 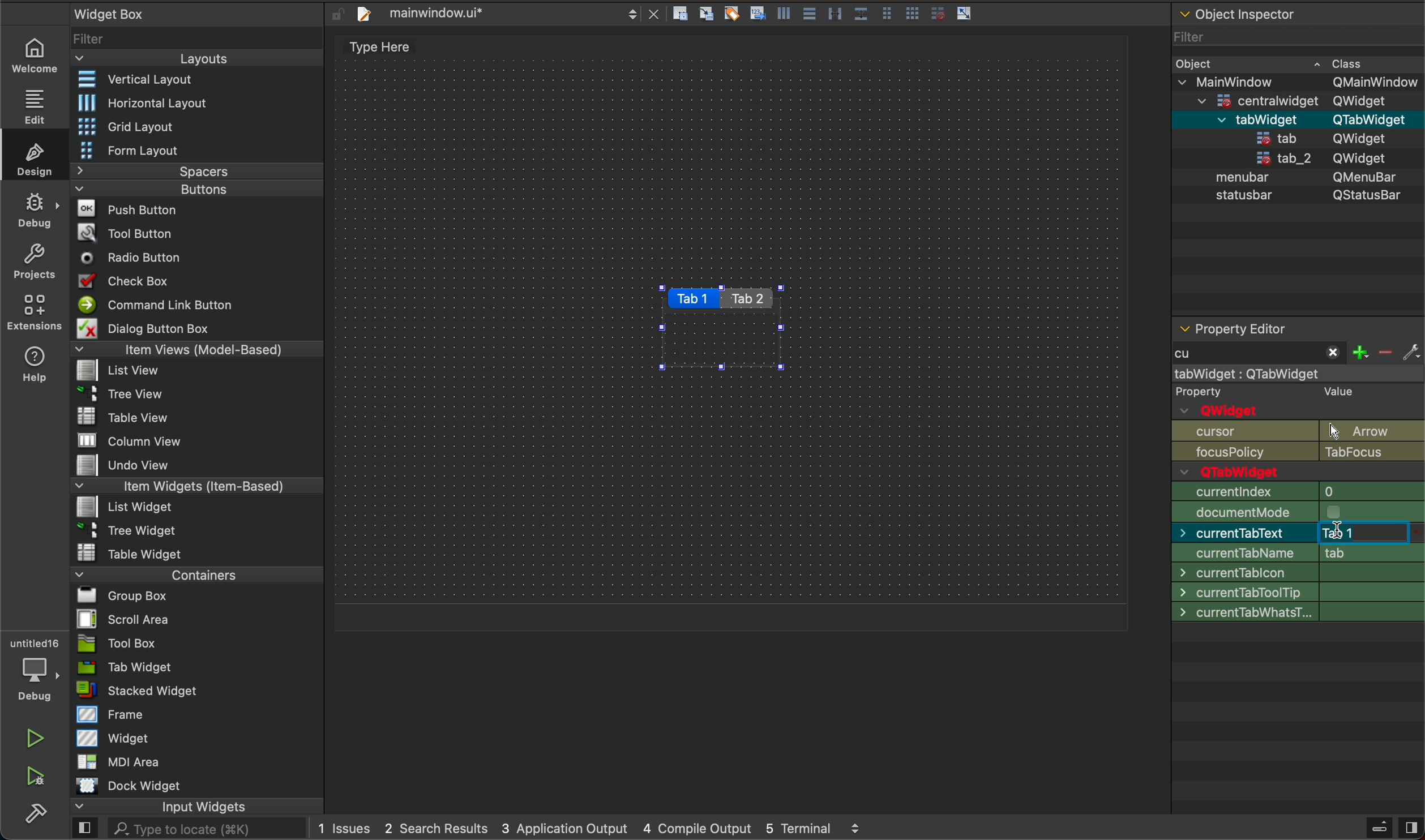 I want to click on build, so click(x=41, y=816).